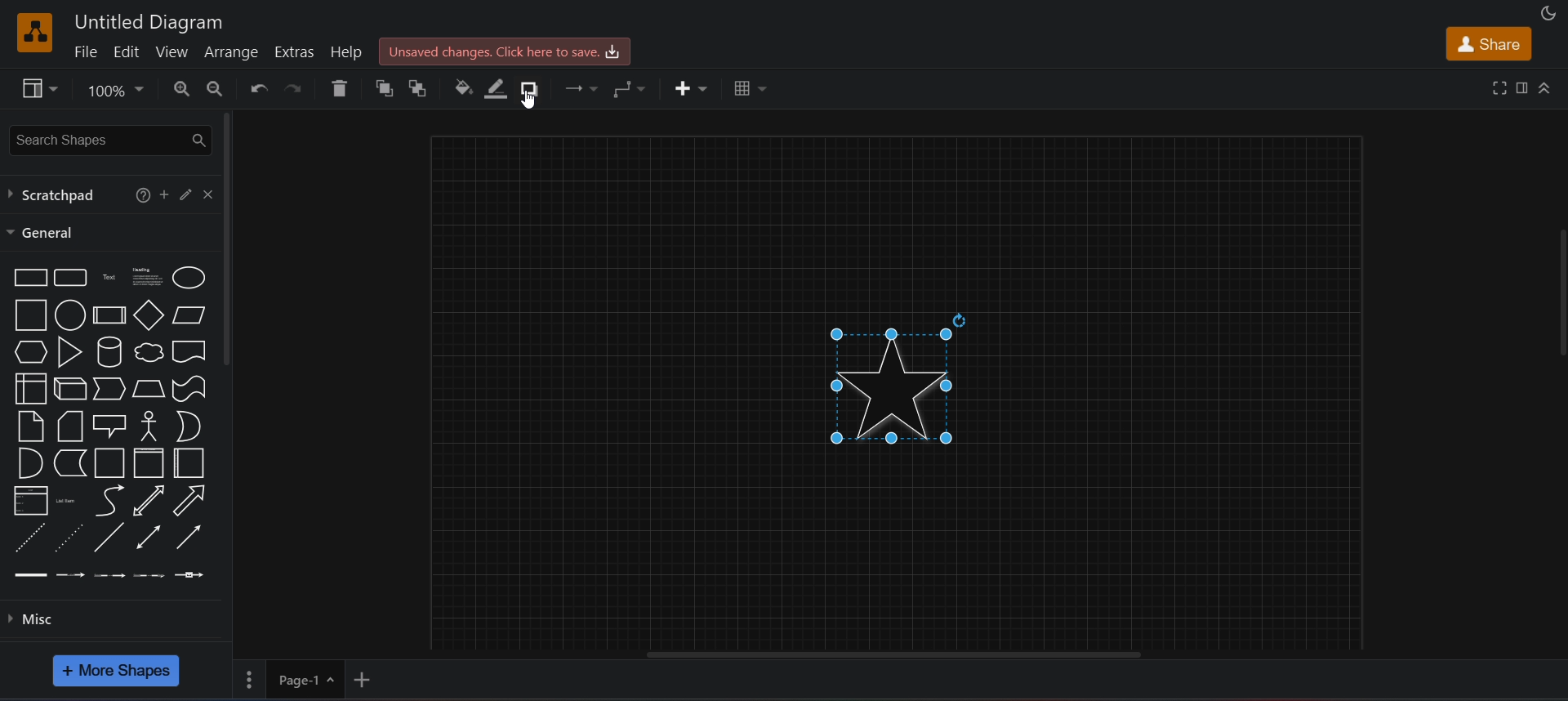 This screenshot has width=1568, height=701. I want to click on parallelogram, so click(189, 317).